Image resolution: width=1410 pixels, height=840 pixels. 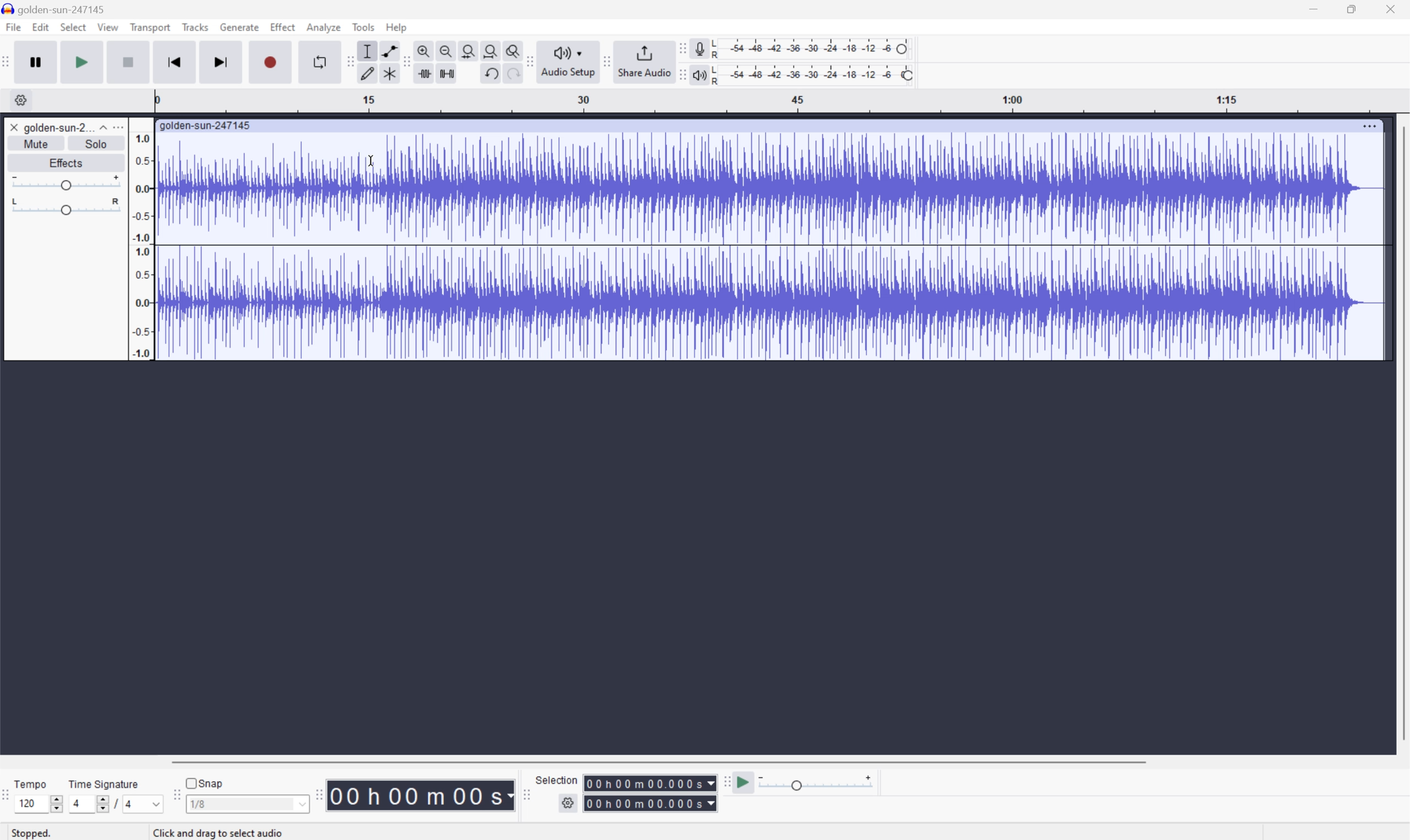 What do you see at coordinates (699, 47) in the screenshot?
I see `Record Meter ` at bounding box center [699, 47].